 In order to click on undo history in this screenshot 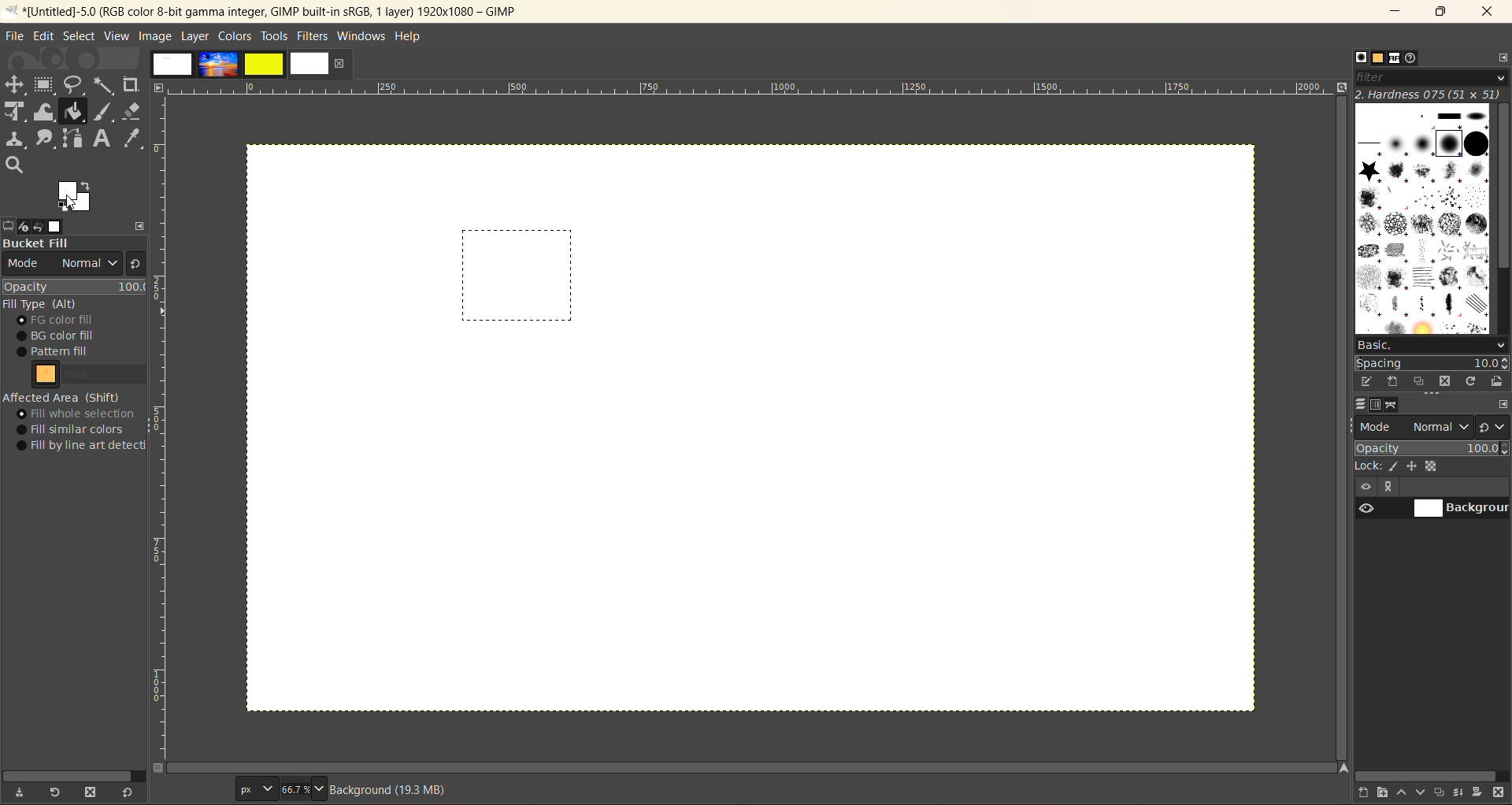, I will do `click(35, 226)`.